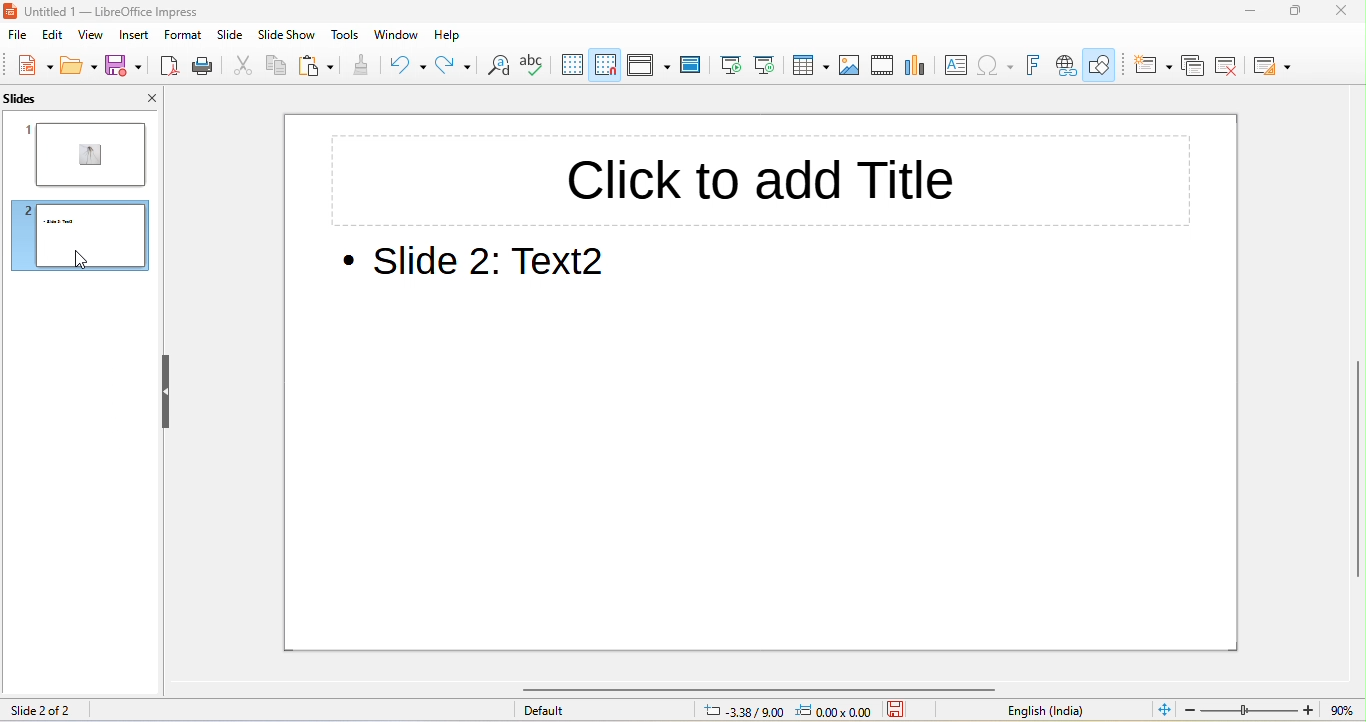 The height and width of the screenshot is (722, 1366). What do you see at coordinates (207, 67) in the screenshot?
I see `print` at bounding box center [207, 67].